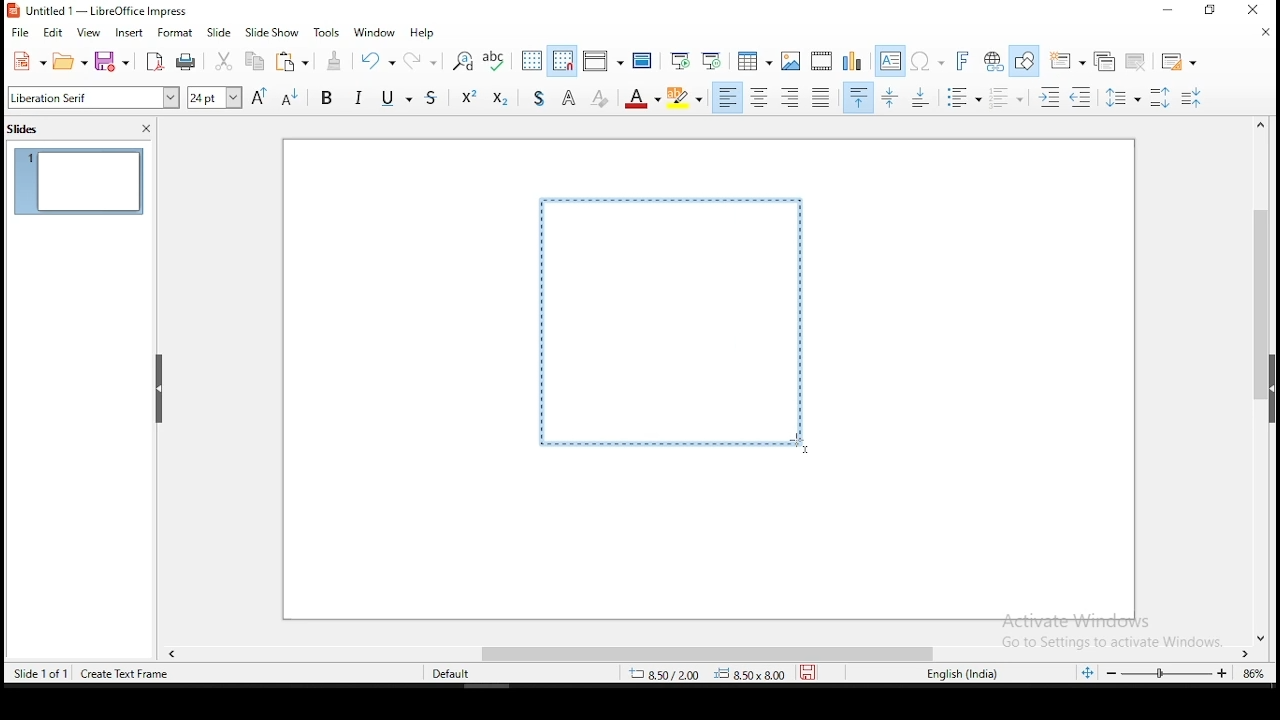  What do you see at coordinates (448, 674) in the screenshot?
I see `default` at bounding box center [448, 674].